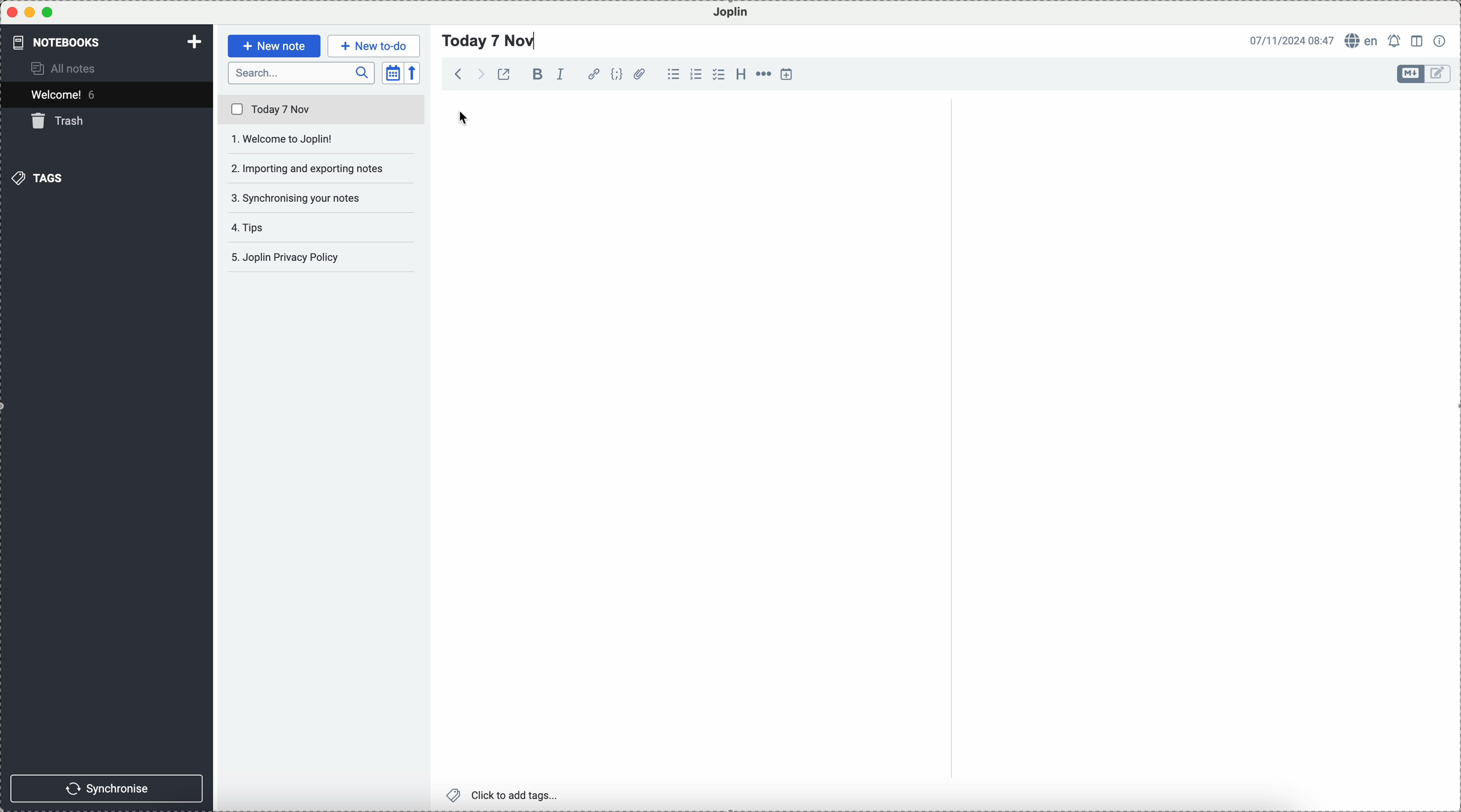 Image resolution: width=1461 pixels, height=812 pixels. I want to click on welcome! 6, so click(67, 94).